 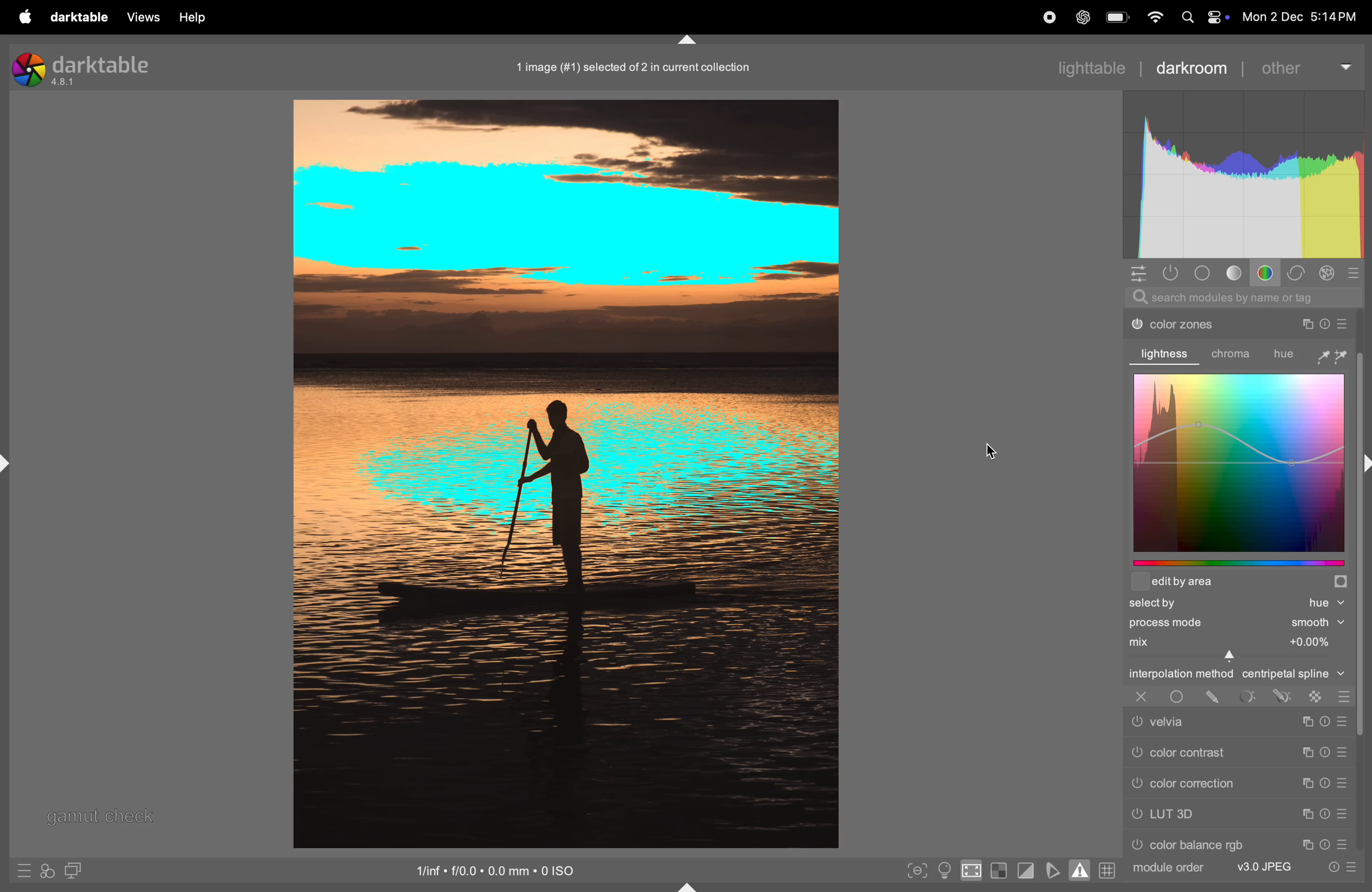 What do you see at coordinates (1243, 565) in the screenshot?
I see `edit by graphs` at bounding box center [1243, 565].